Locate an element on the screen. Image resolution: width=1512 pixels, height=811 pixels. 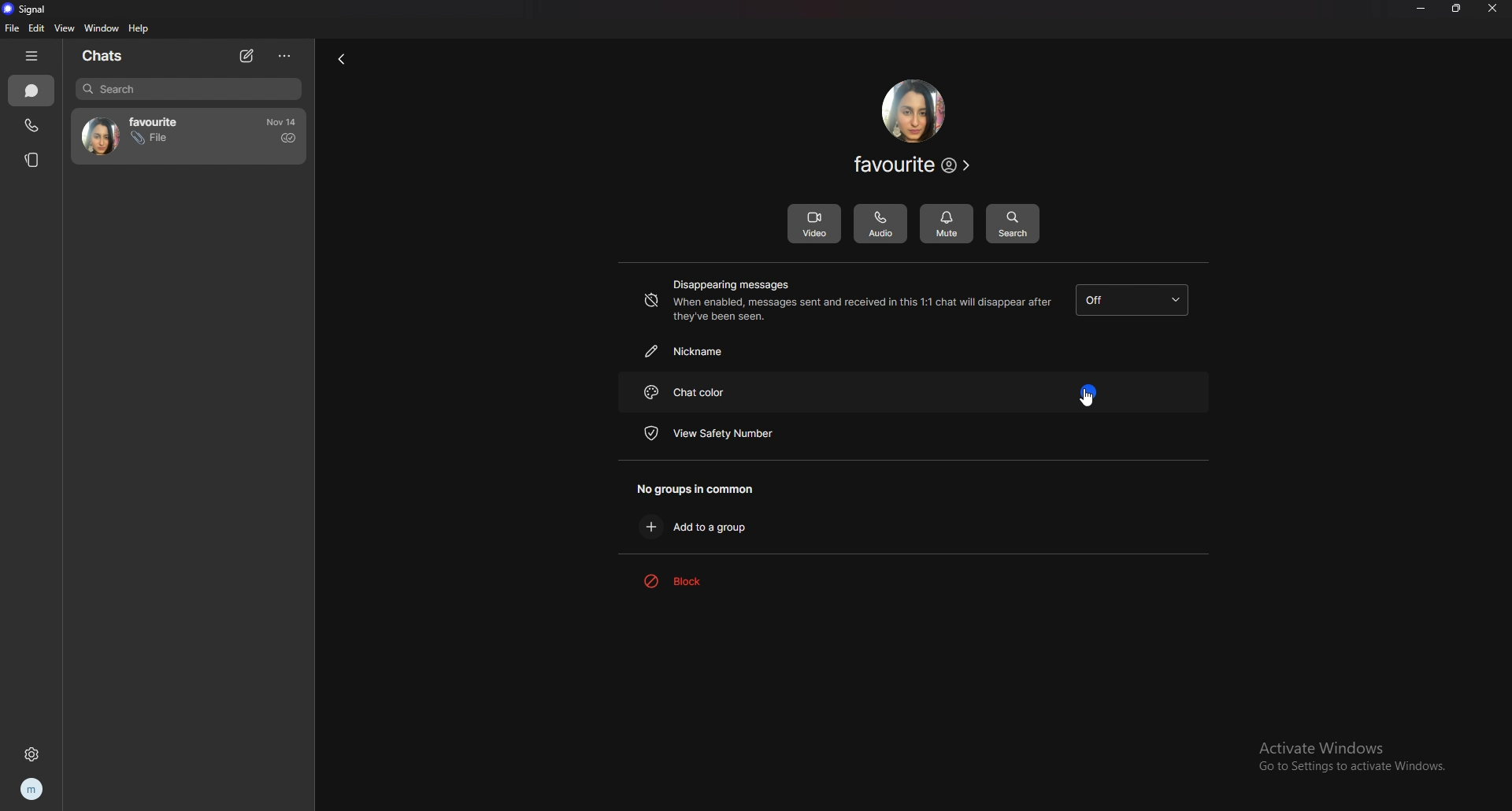
profile is located at coordinates (33, 787).